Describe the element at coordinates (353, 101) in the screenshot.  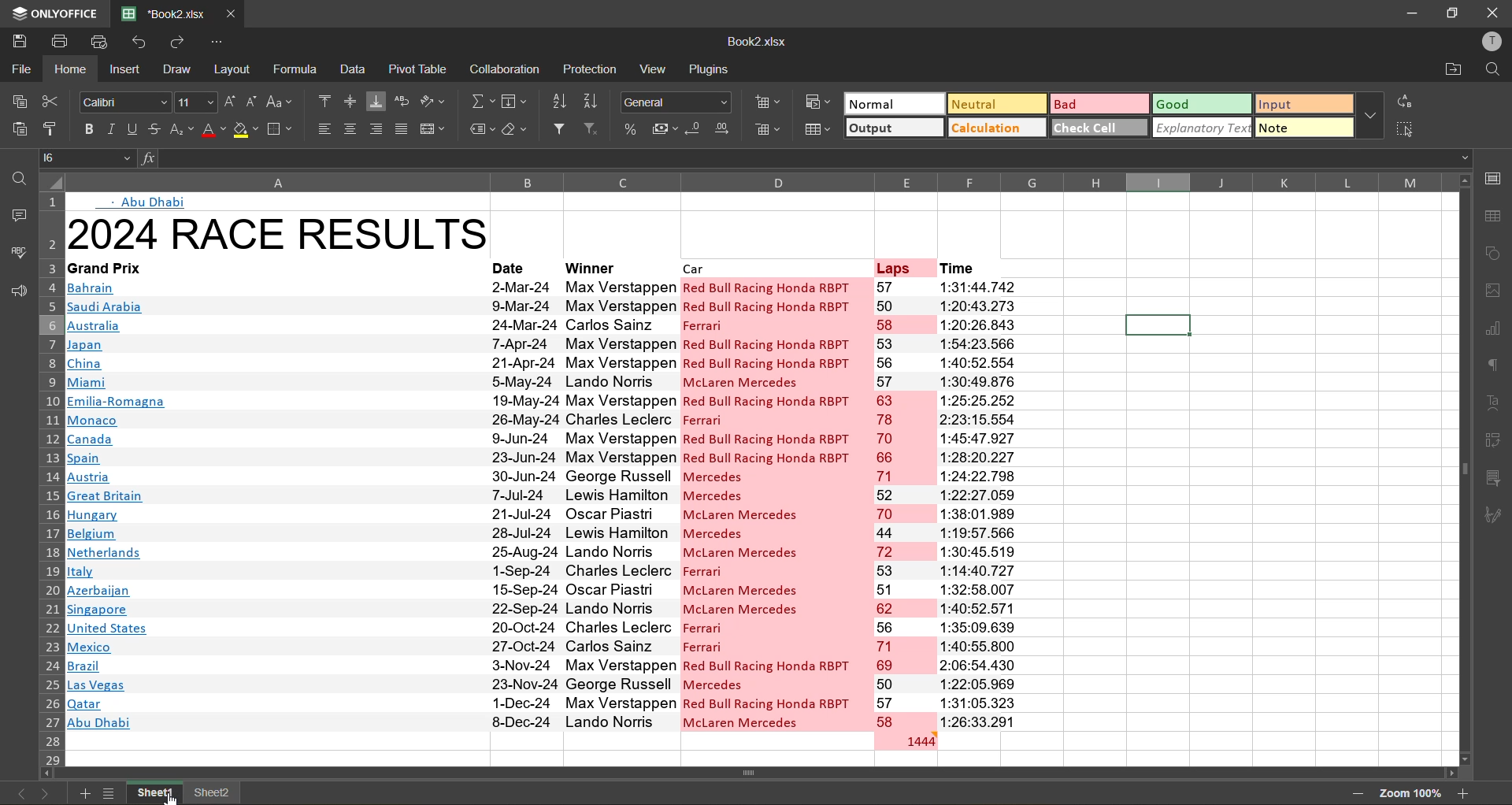
I see `align middle ` at that location.